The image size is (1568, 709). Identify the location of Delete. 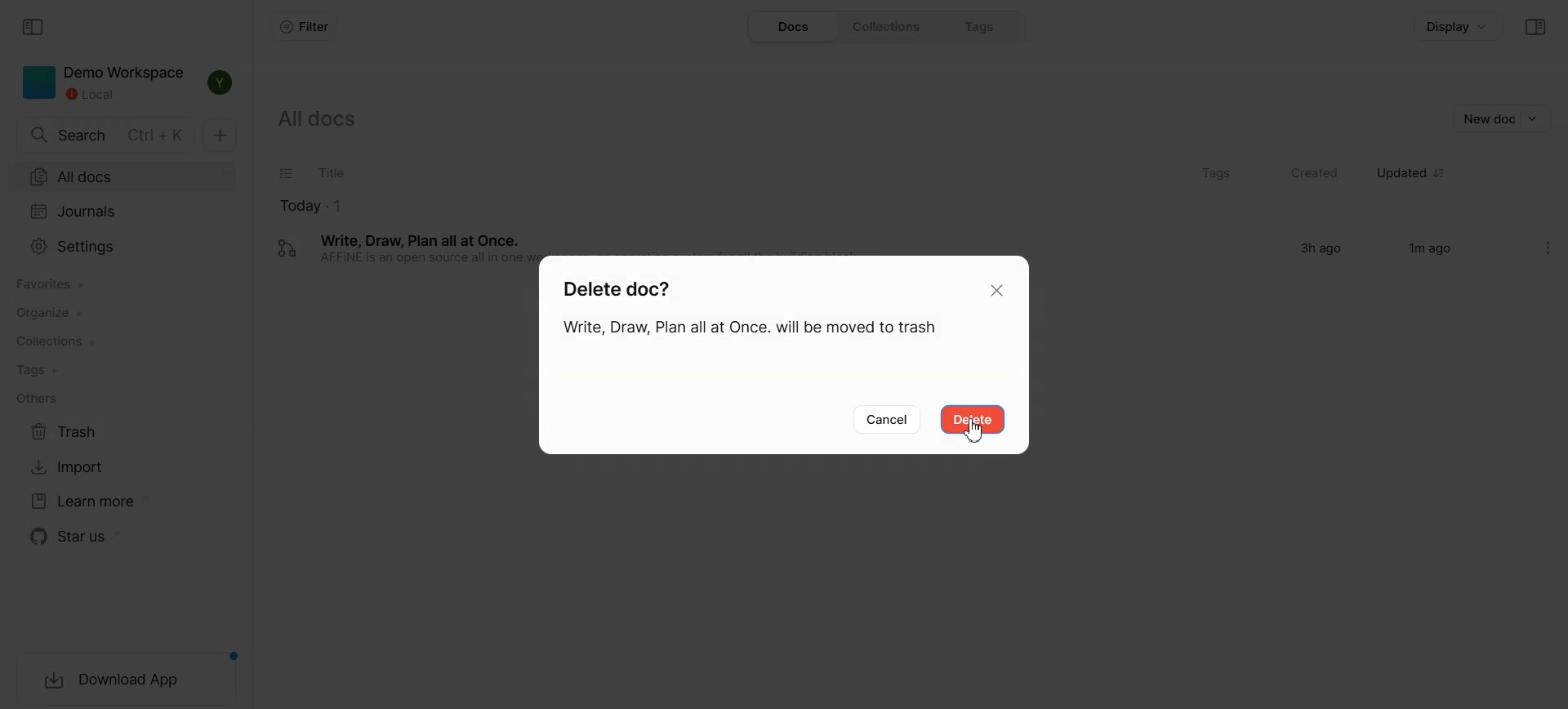
(972, 419).